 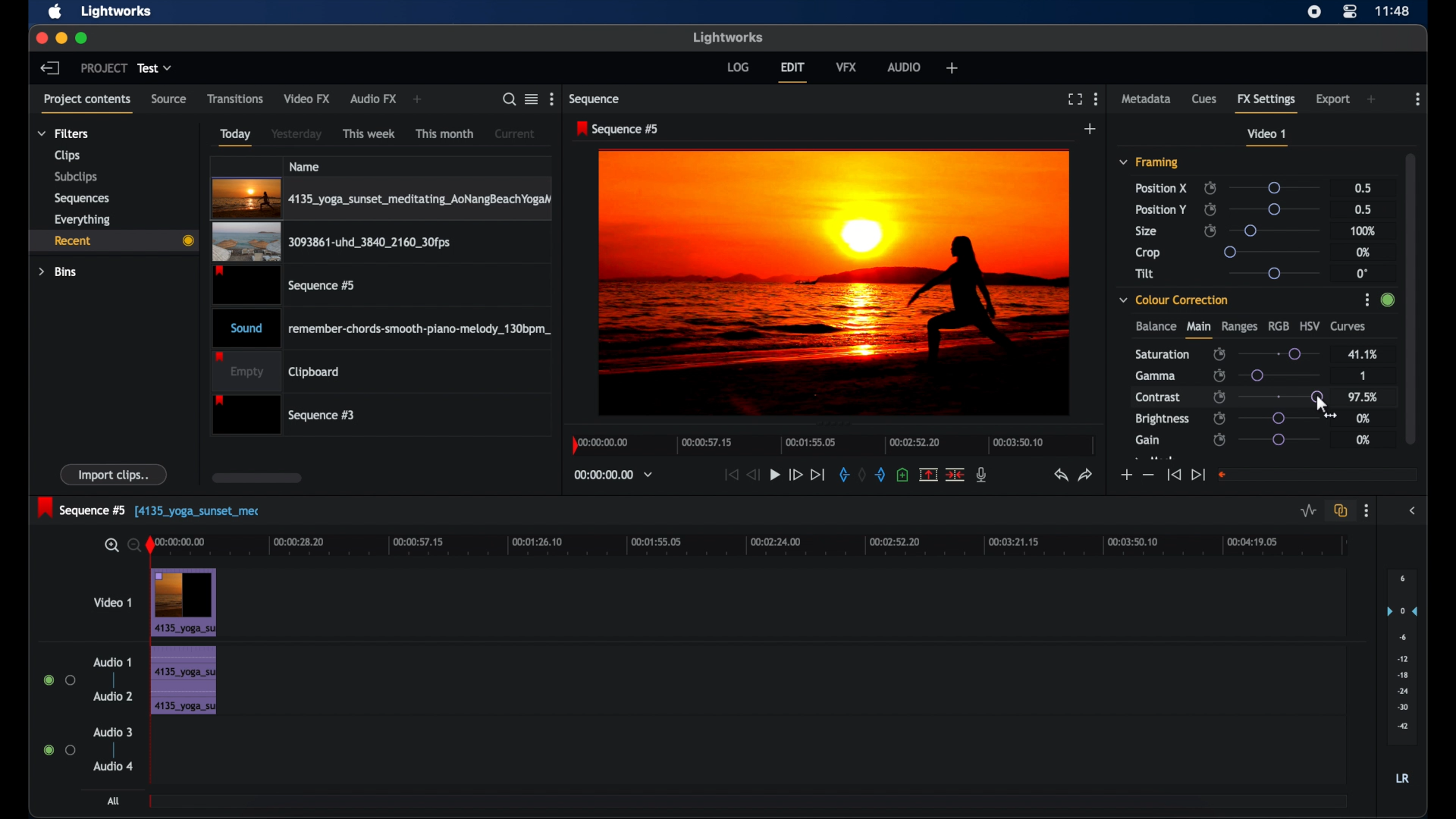 What do you see at coordinates (56, 12) in the screenshot?
I see `apple icon` at bounding box center [56, 12].